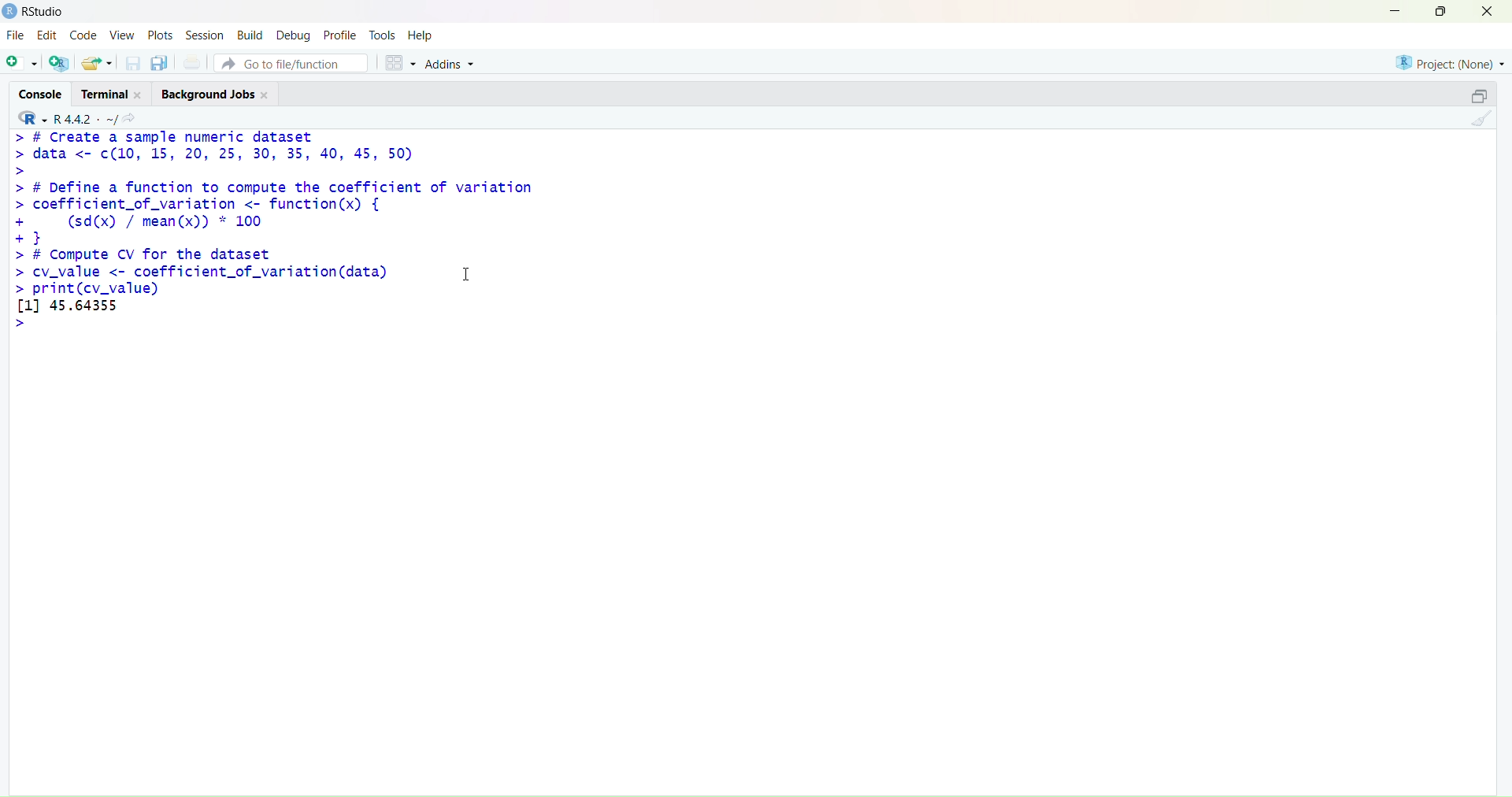 The width and height of the screenshot is (1512, 797). I want to click on open in separate window , so click(1479, 95).